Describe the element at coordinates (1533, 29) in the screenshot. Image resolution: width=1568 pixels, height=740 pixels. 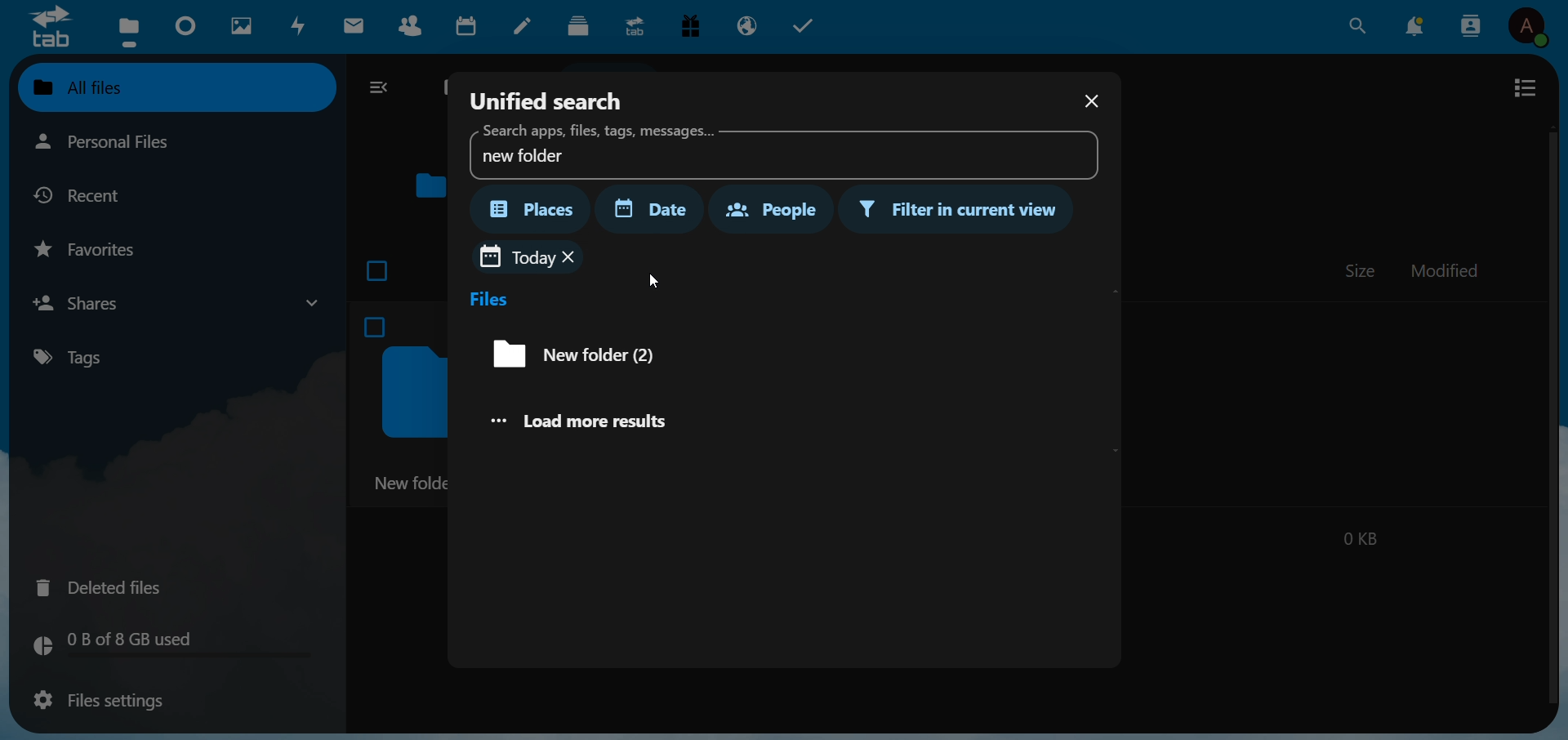
I see `user` at that location.